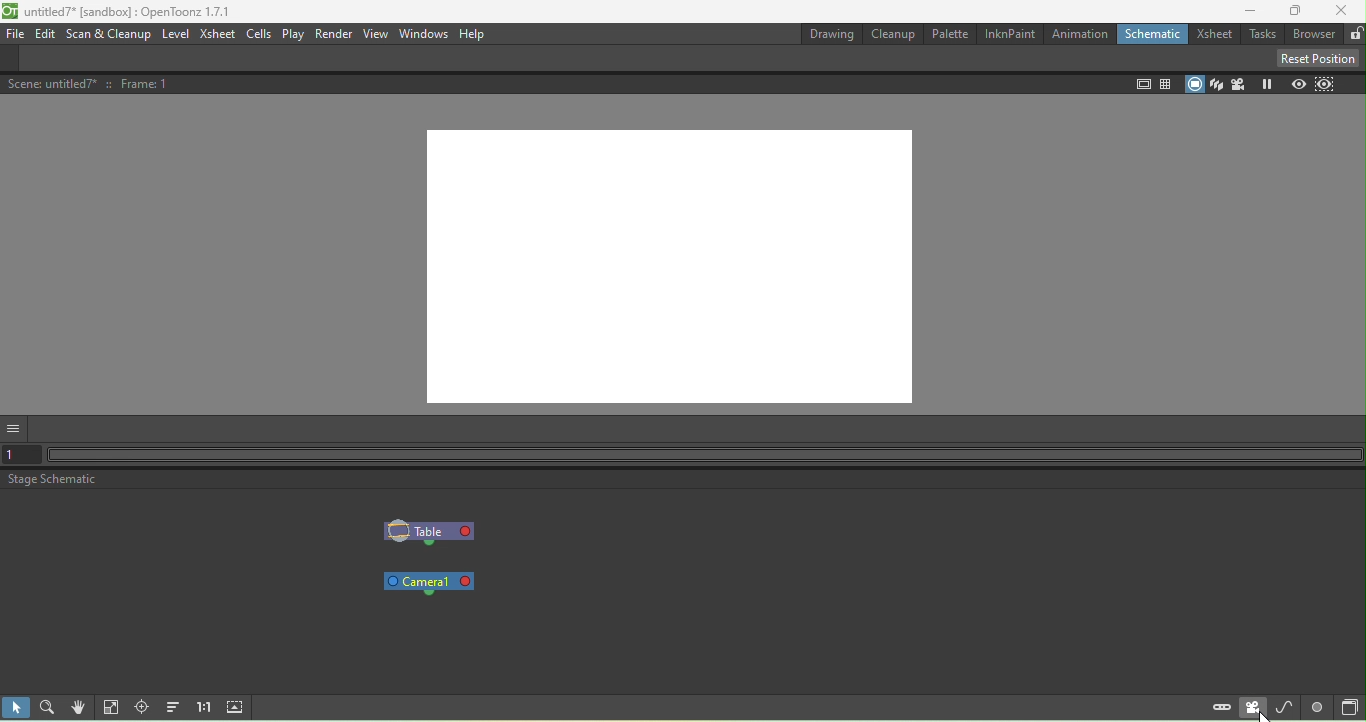  Describe the element at coordinates (46, 35) in the screenshot. I see `Edit` at that location.